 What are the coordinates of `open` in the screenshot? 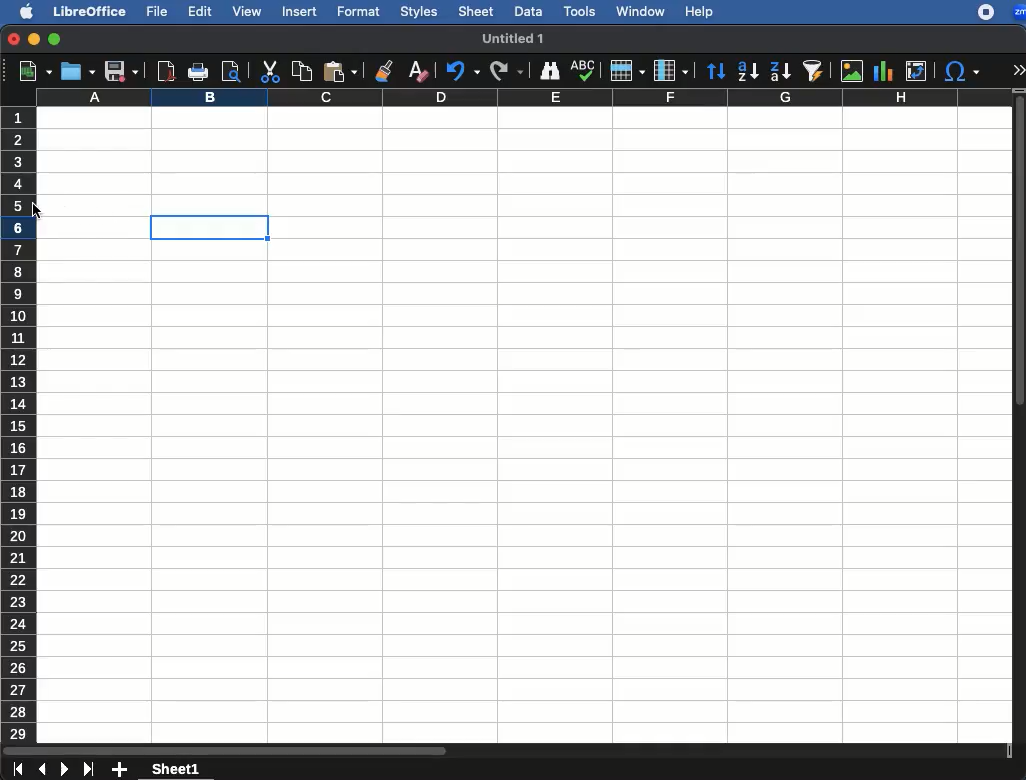 It's located at (77, 71).